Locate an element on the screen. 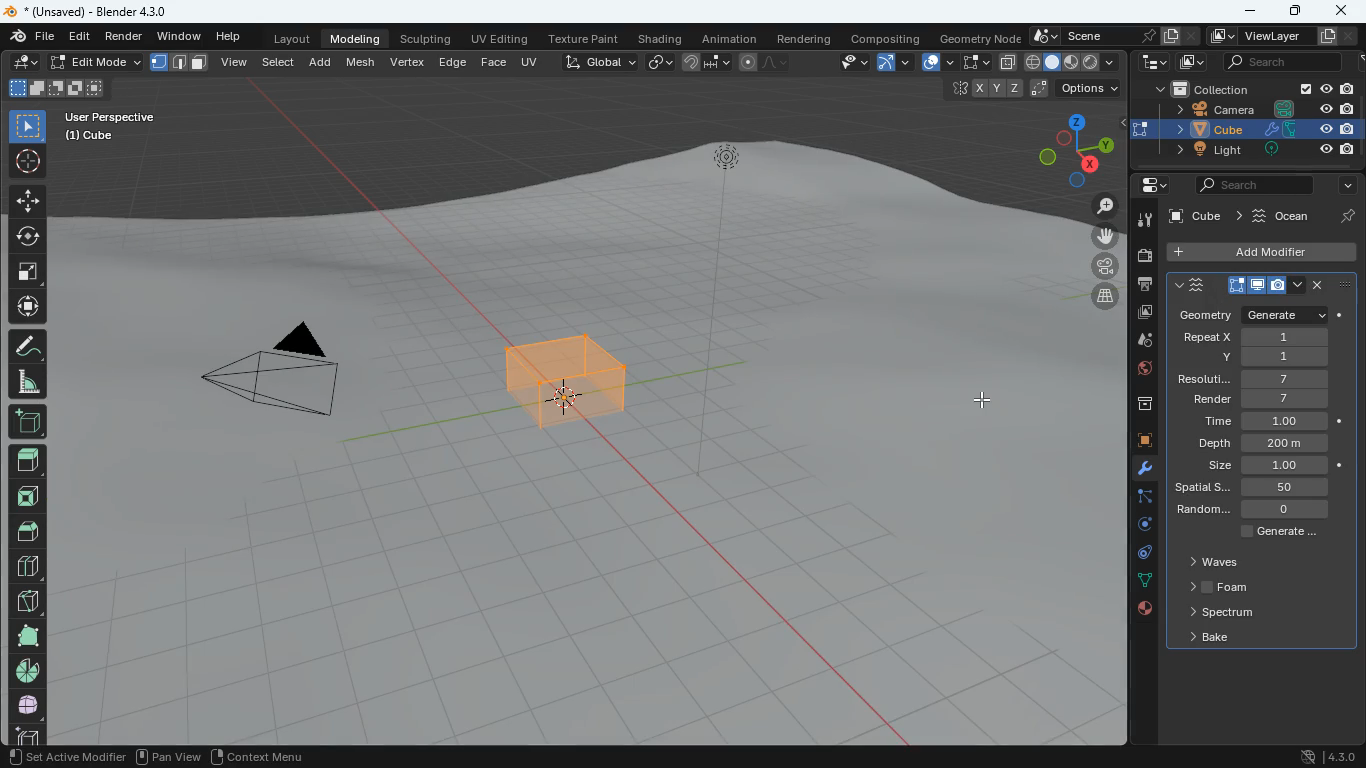  arc is located at coordinates (892, 64).